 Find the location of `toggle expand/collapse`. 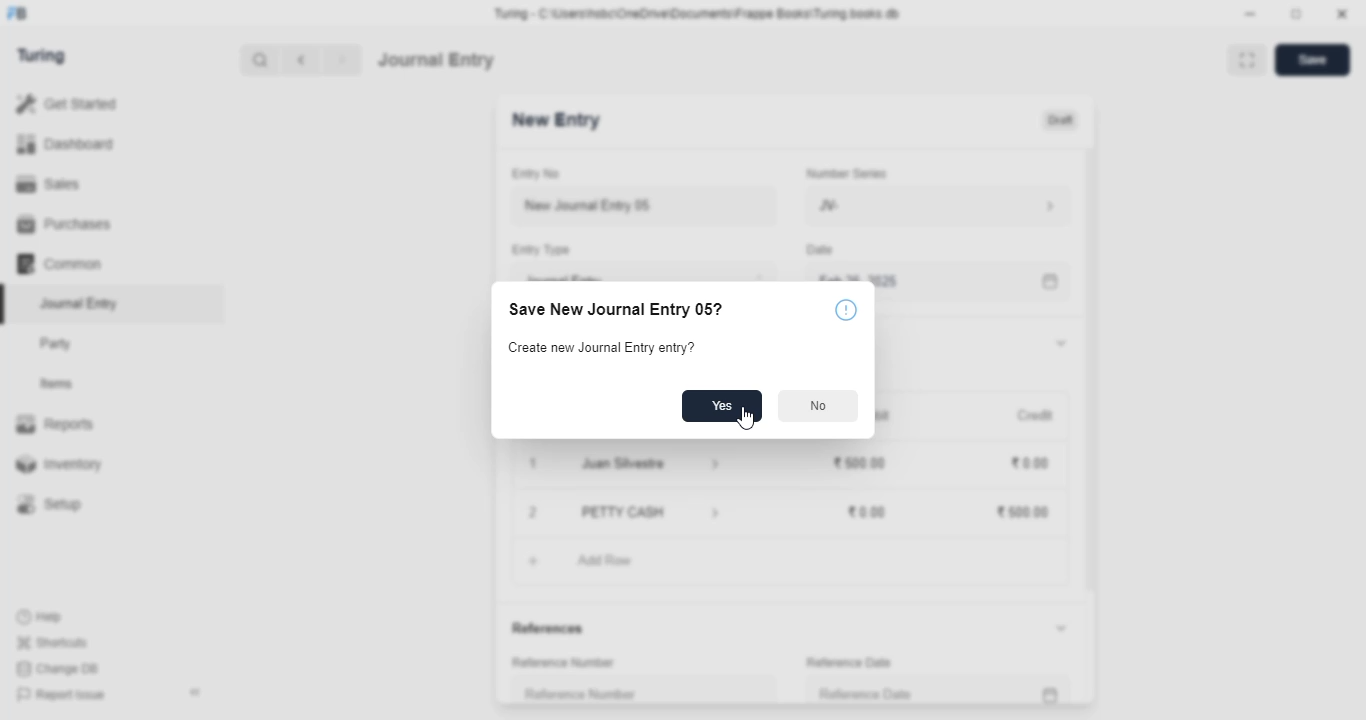

toggle expand/collapse is located at coordinates (1062, 627).